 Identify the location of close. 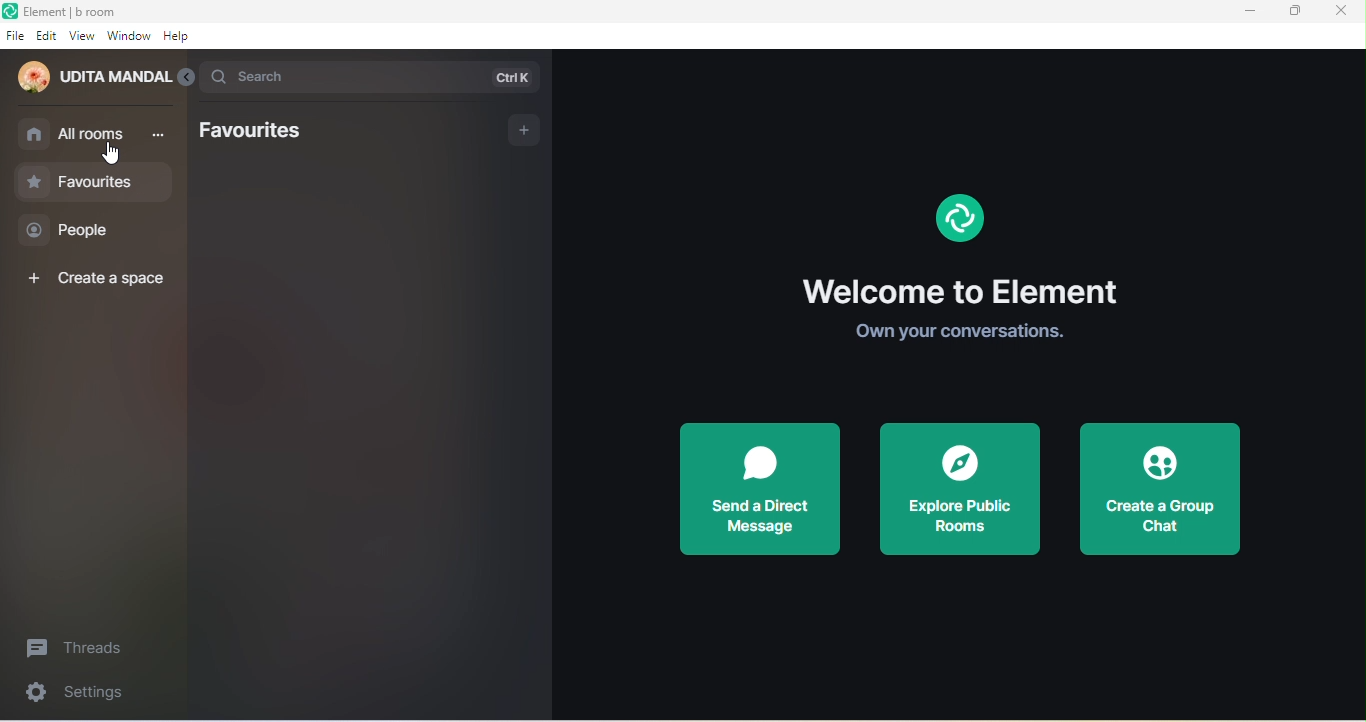
(1344, 14).